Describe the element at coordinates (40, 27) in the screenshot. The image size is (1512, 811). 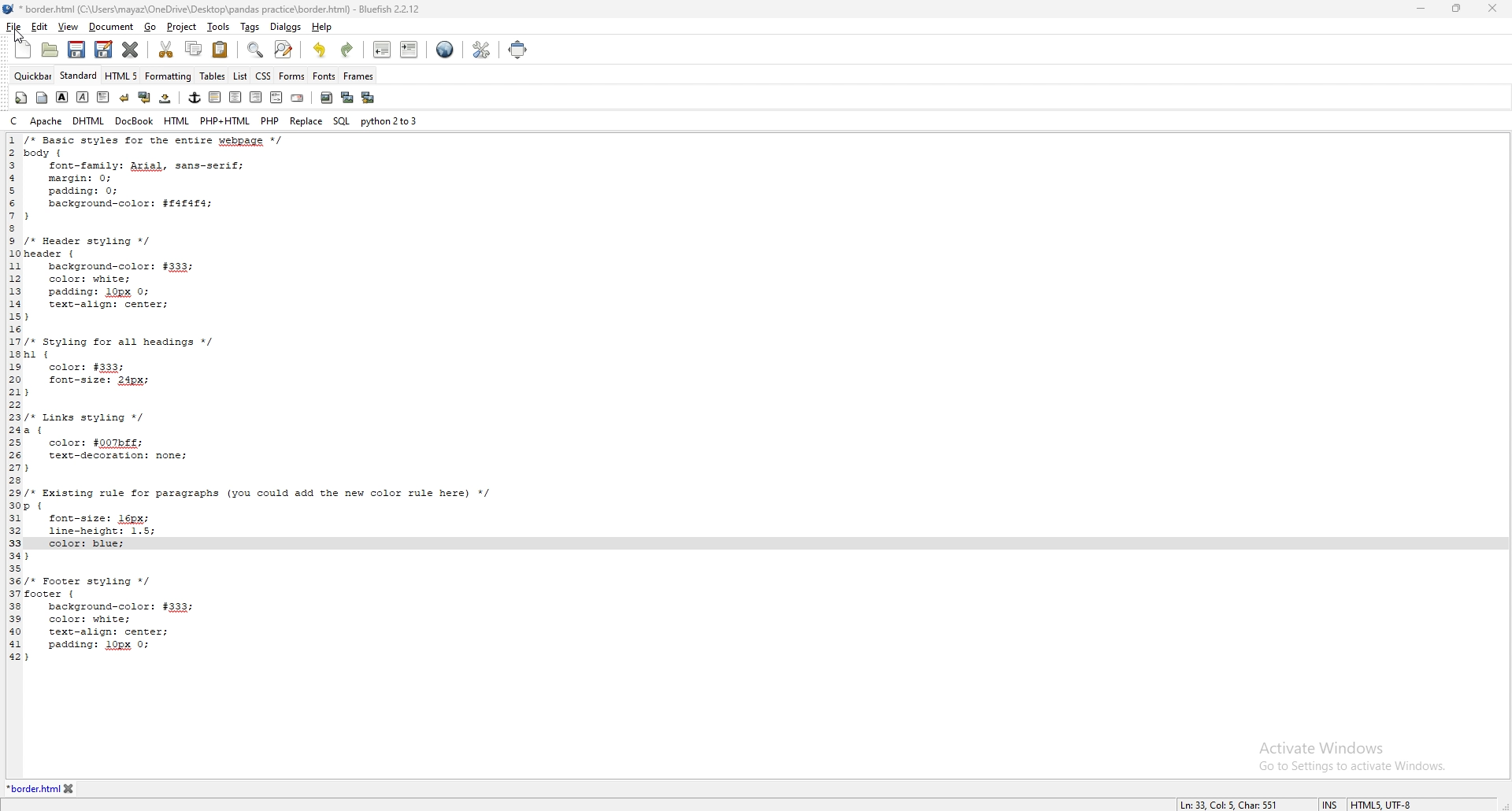
I see `edit` at that location.